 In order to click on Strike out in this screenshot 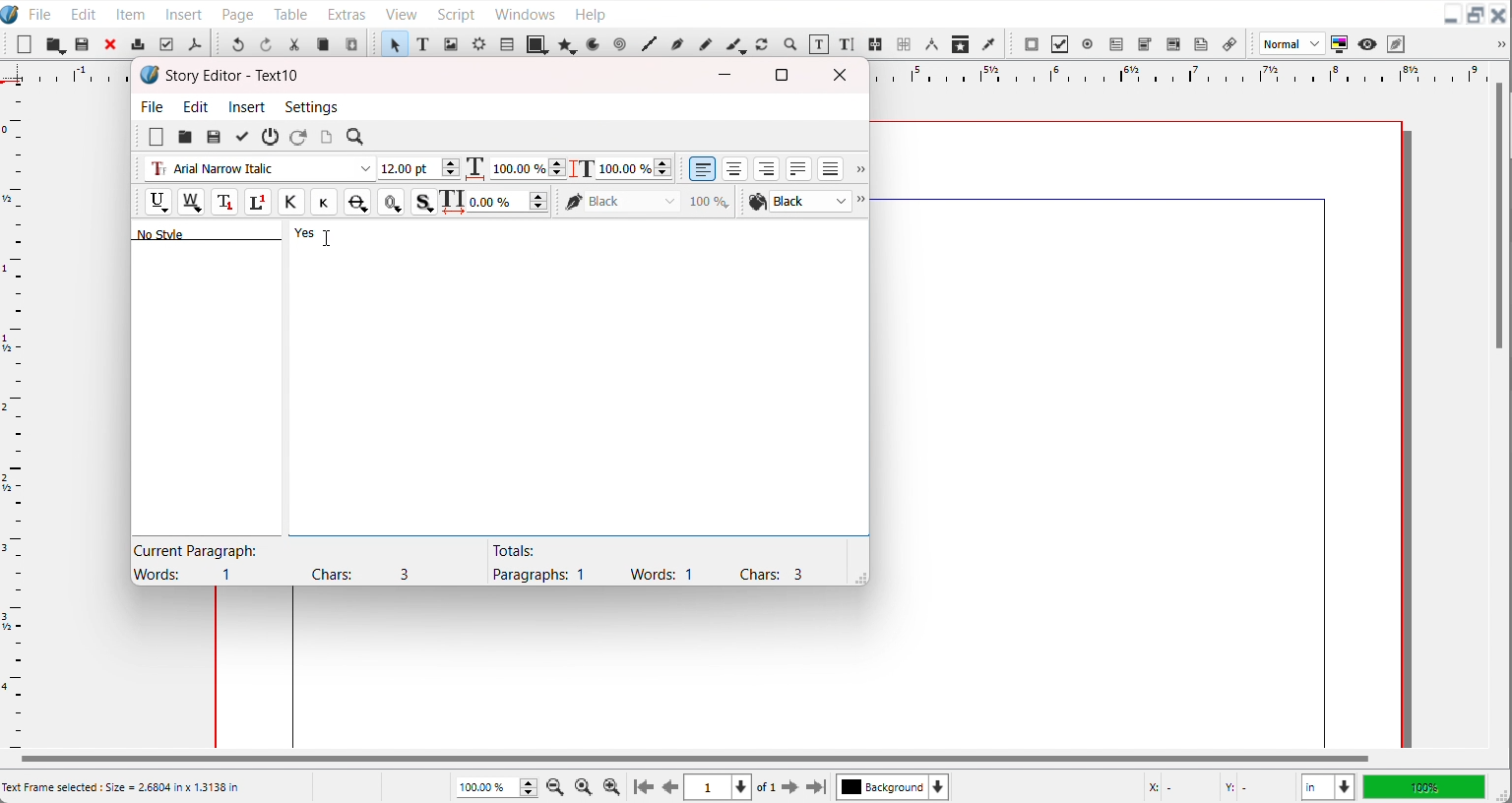, I will do `click(355, 202)`.